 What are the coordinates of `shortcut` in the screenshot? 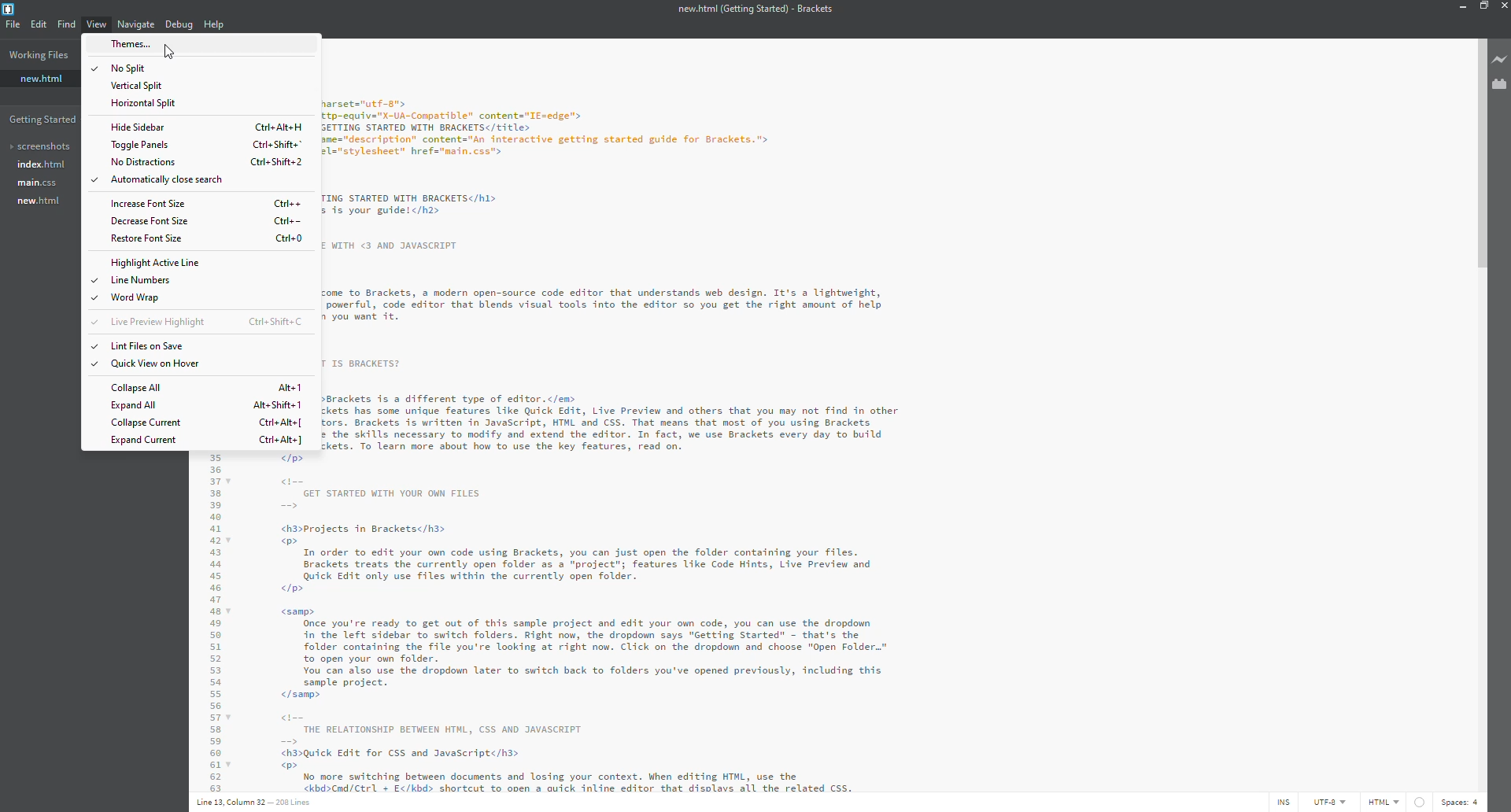 It's located at (278, 406).